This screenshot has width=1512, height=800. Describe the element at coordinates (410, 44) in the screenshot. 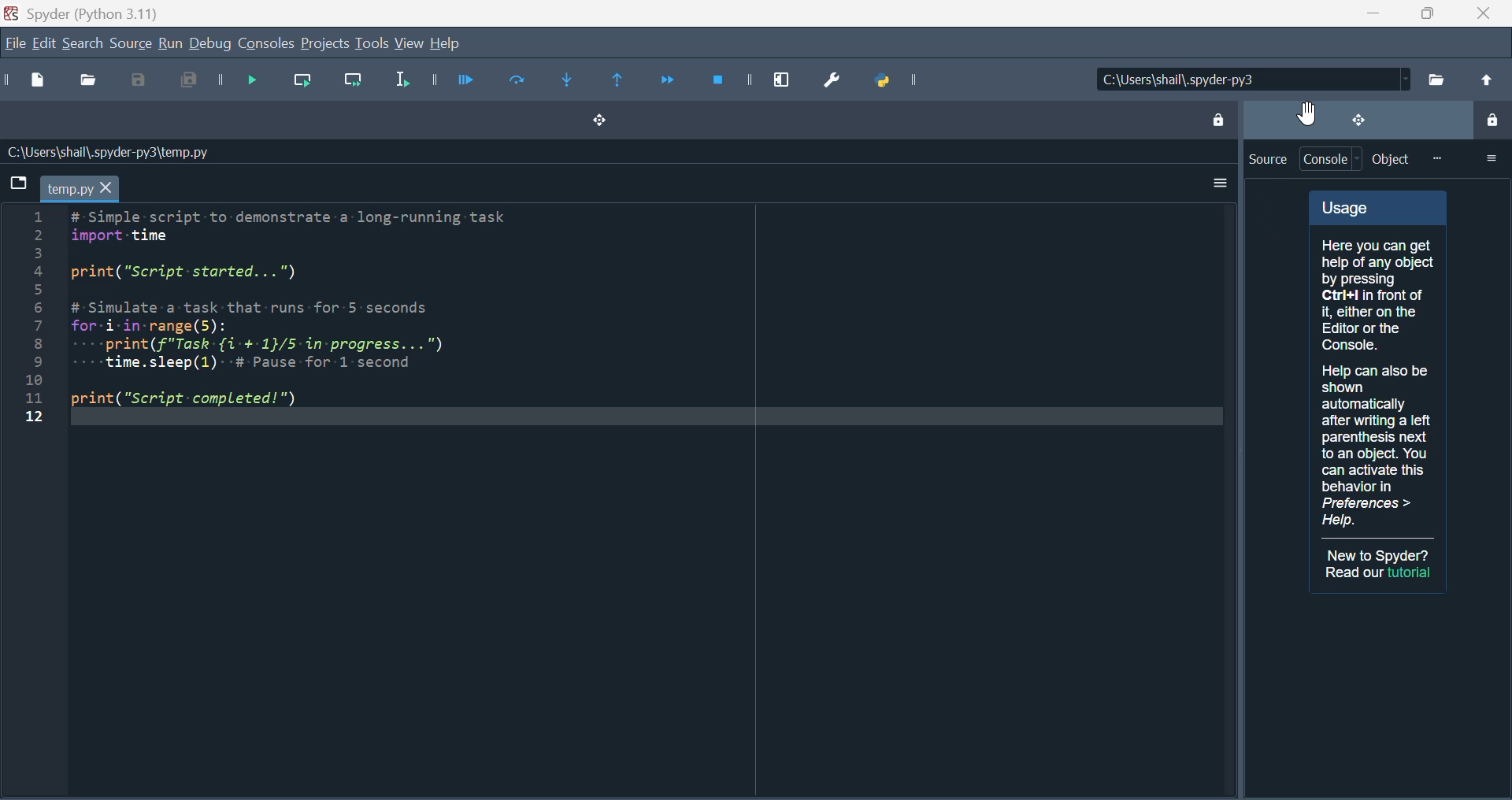

I see `view` at that location.